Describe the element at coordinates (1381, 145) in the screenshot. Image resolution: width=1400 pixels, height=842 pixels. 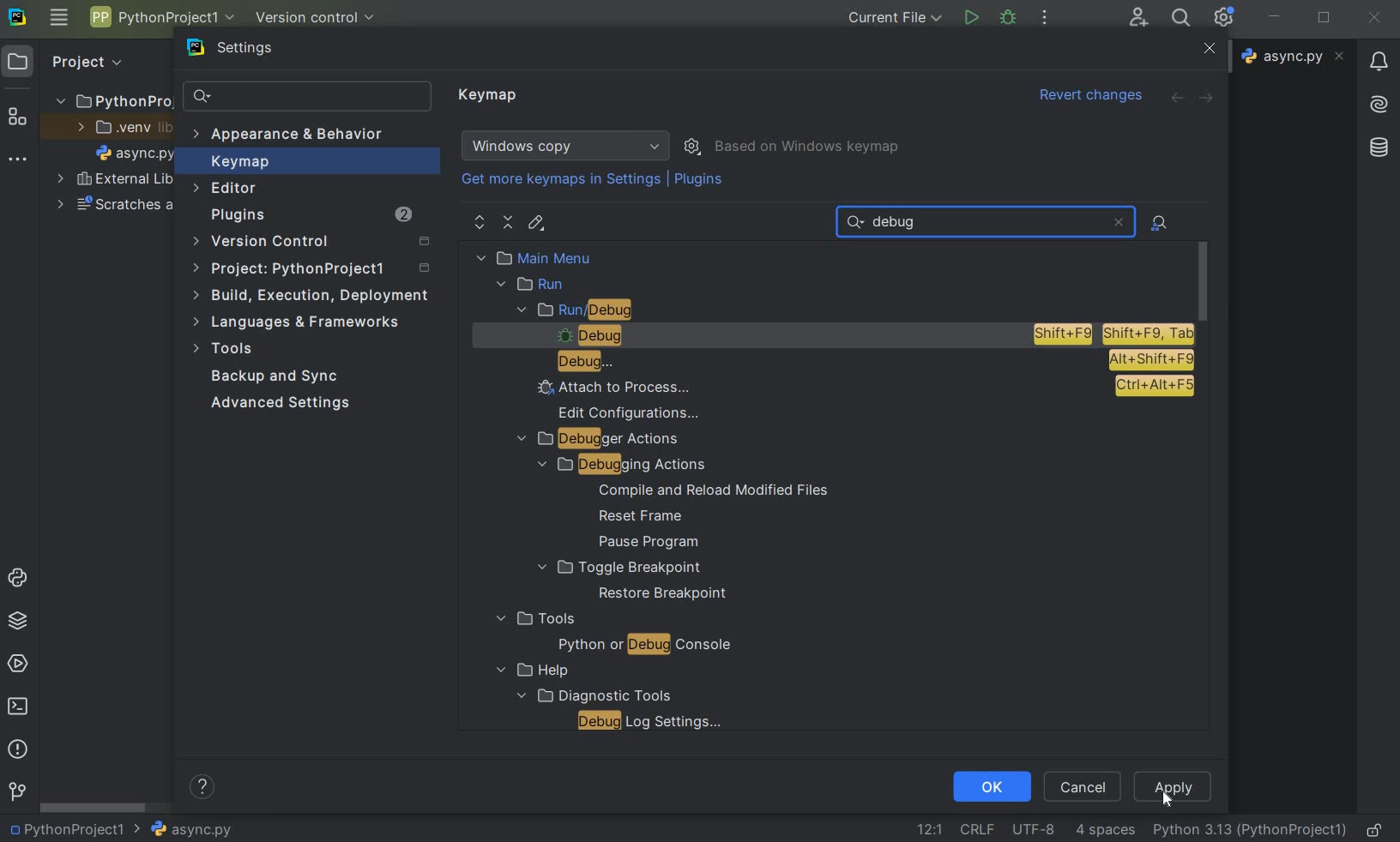
I see `database` at that location.